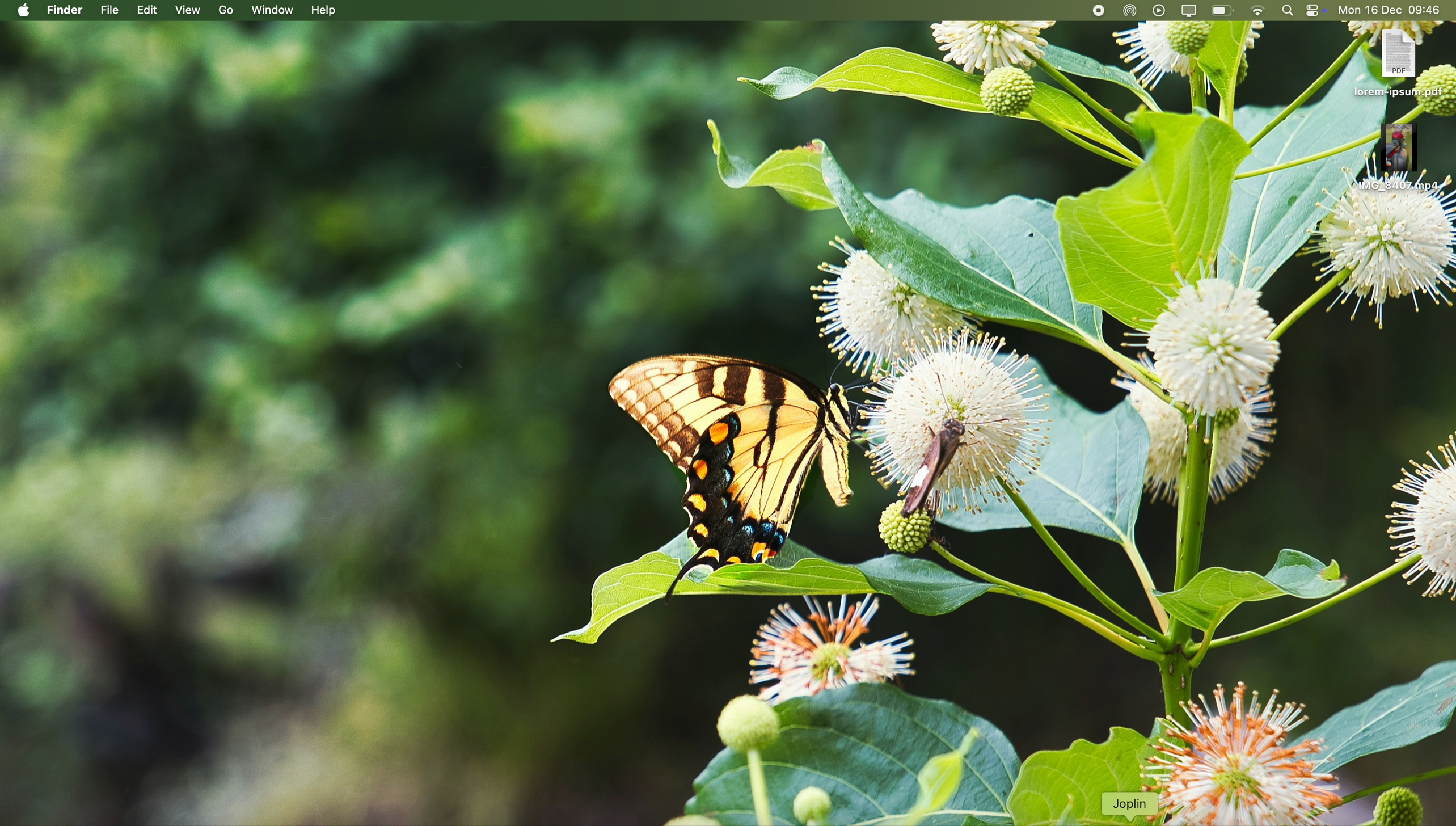 This screenshot has height=826, width=1456. I want to click on Finder, so click(65, 10).